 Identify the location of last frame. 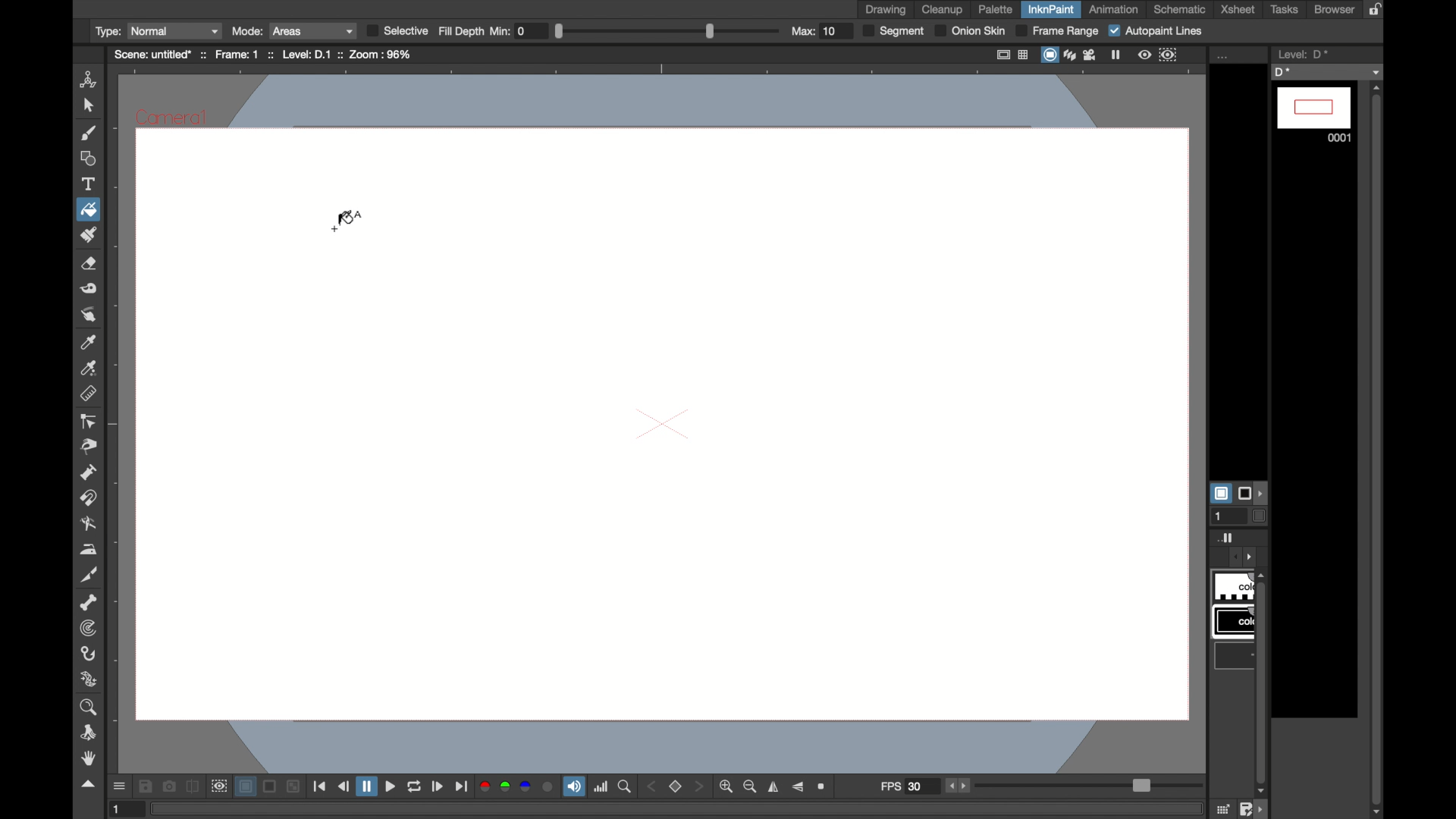
(461, 786).